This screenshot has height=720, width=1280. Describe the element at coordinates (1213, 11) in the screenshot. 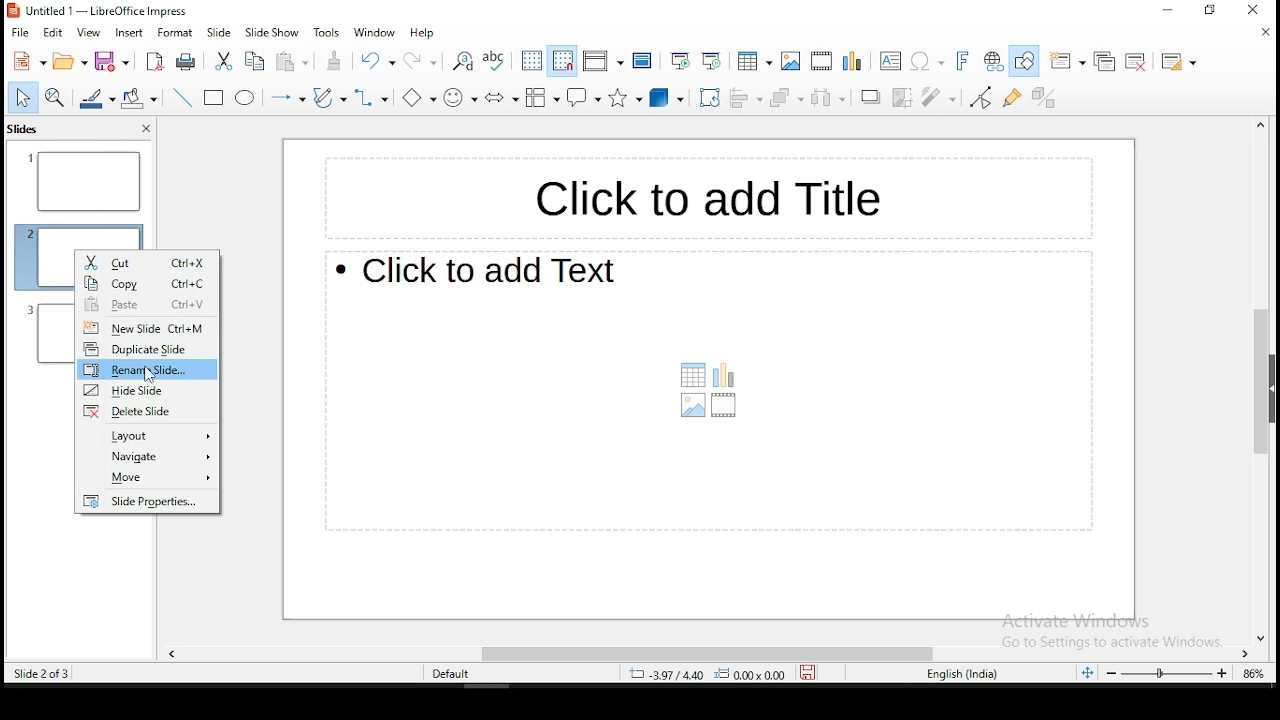

I see `restore` at that location.